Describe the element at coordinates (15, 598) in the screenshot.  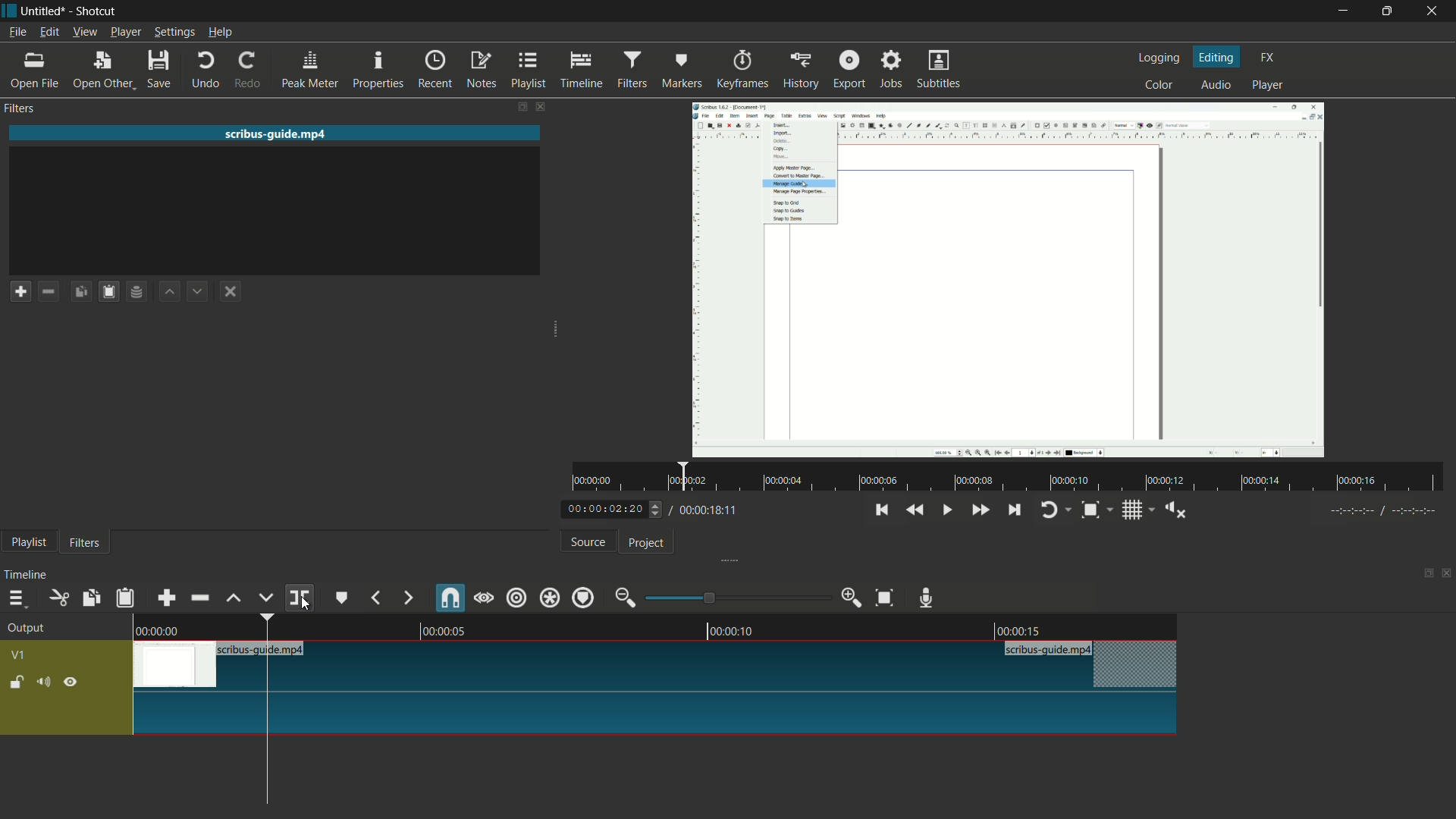
I see `timeline menu` at that location.